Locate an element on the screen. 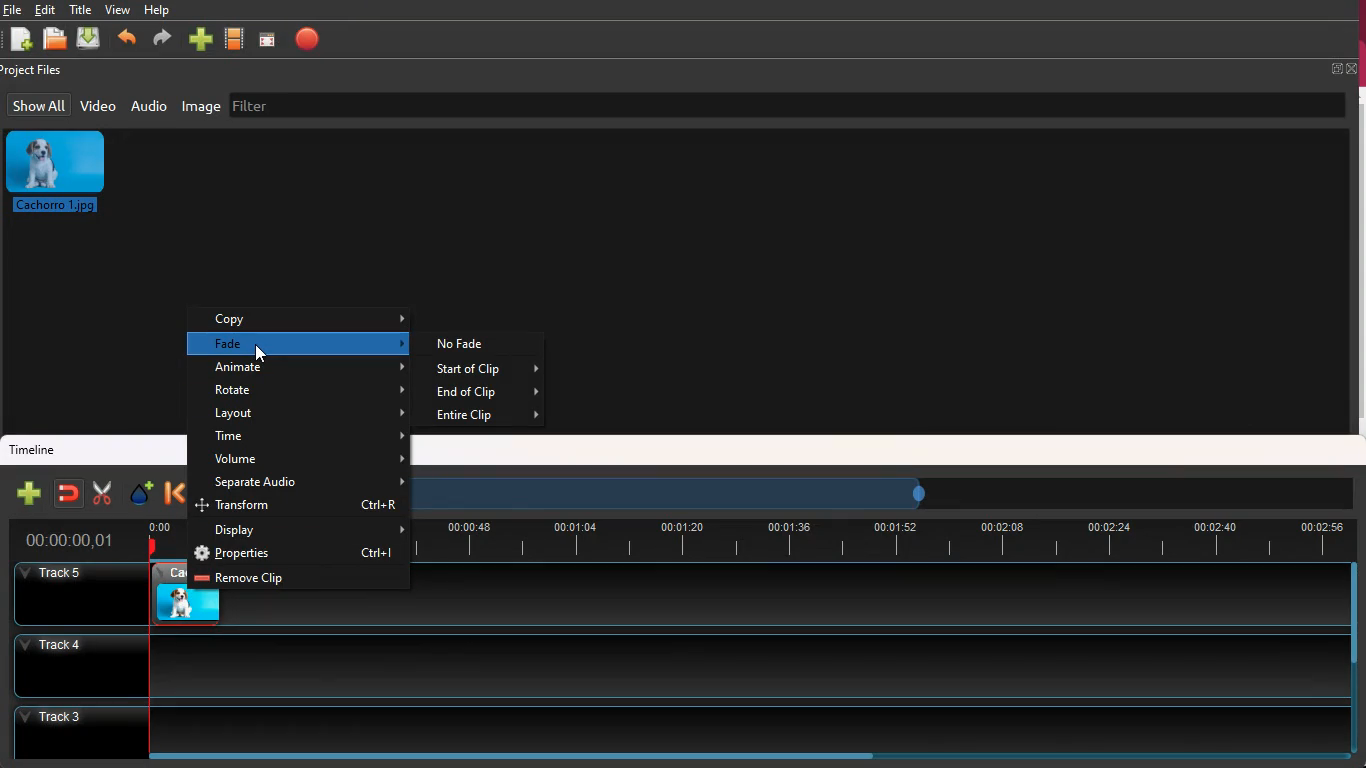 This screenshot has height=768, width=1366. project files is located at coordinates (40, 70).